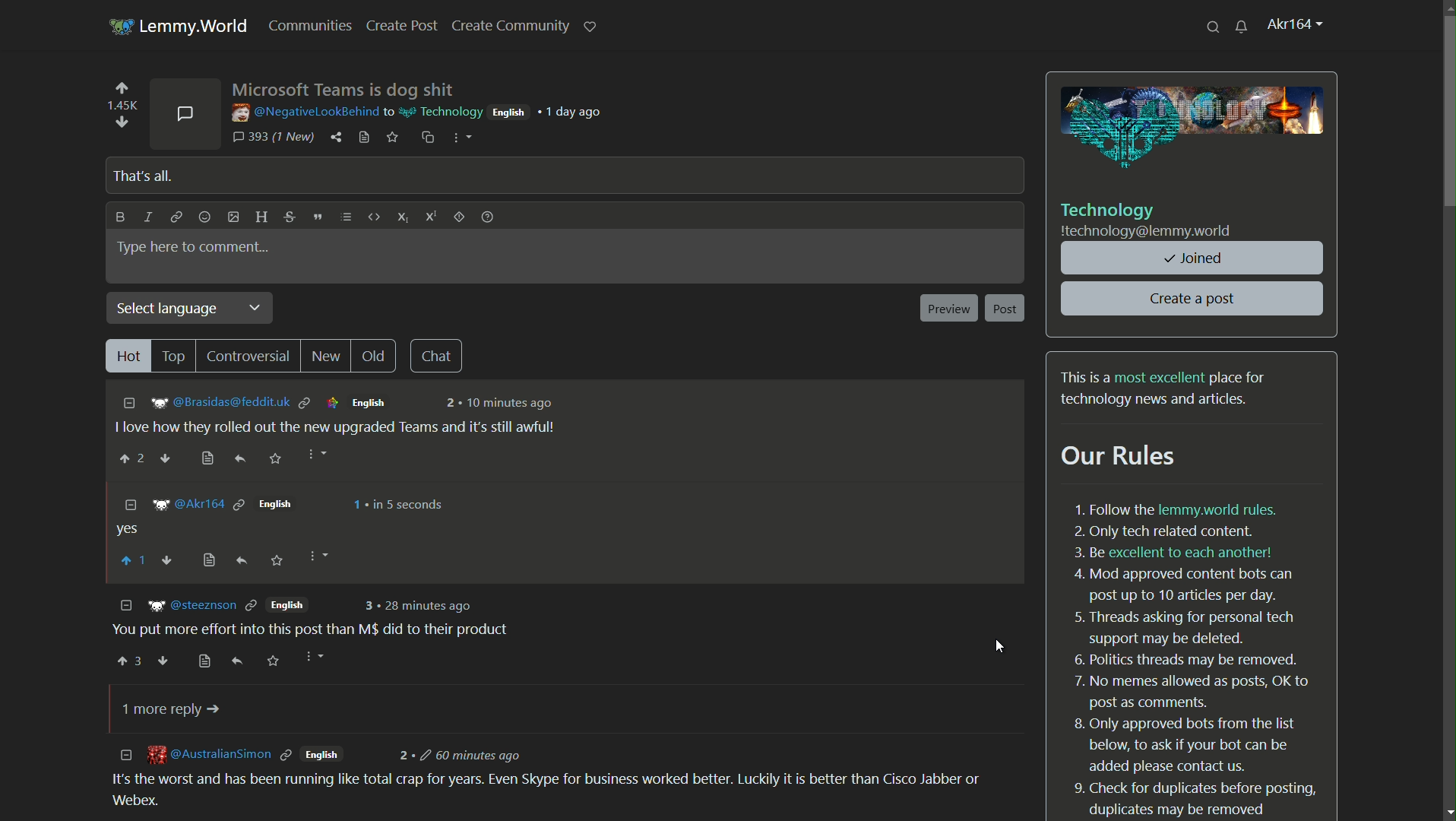 The image size is (1456, 821). I want to click on unread messages, so click(1242, 26).